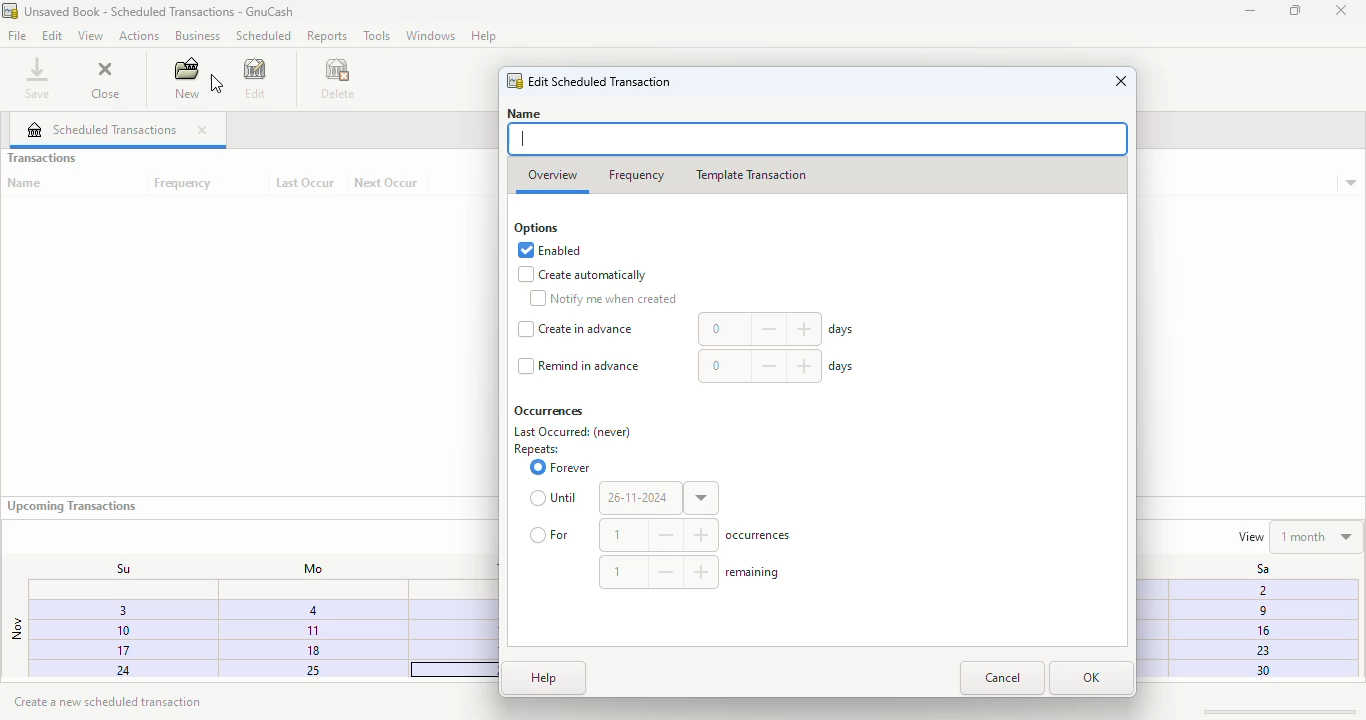 The width and height of the screenshot is (1366, 720). Describe the element at coordinates (524, 139) in the screenshot. I see `typing` at that location.